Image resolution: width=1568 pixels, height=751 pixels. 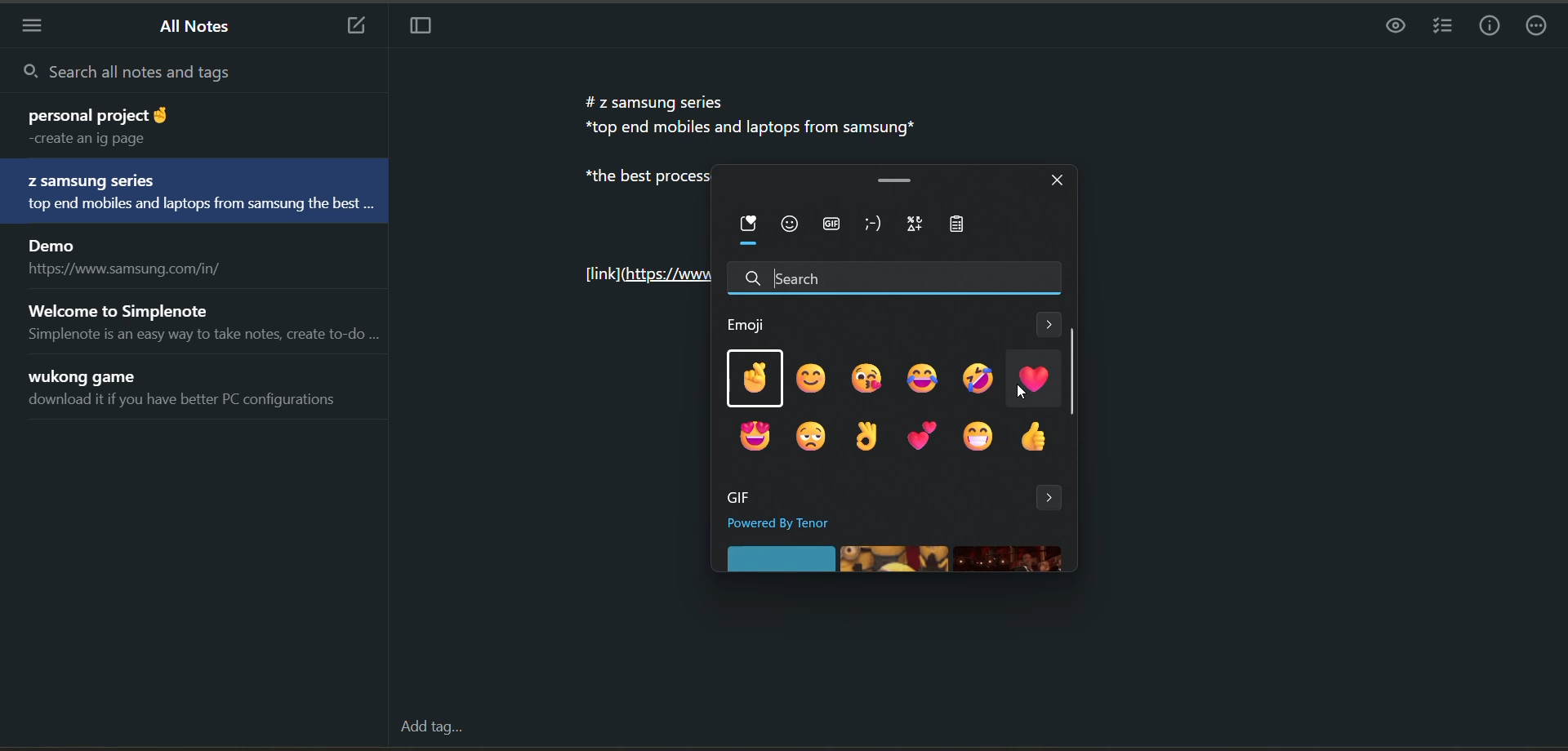 I want to click on toggle focus mode, so click(x=429, y=29).